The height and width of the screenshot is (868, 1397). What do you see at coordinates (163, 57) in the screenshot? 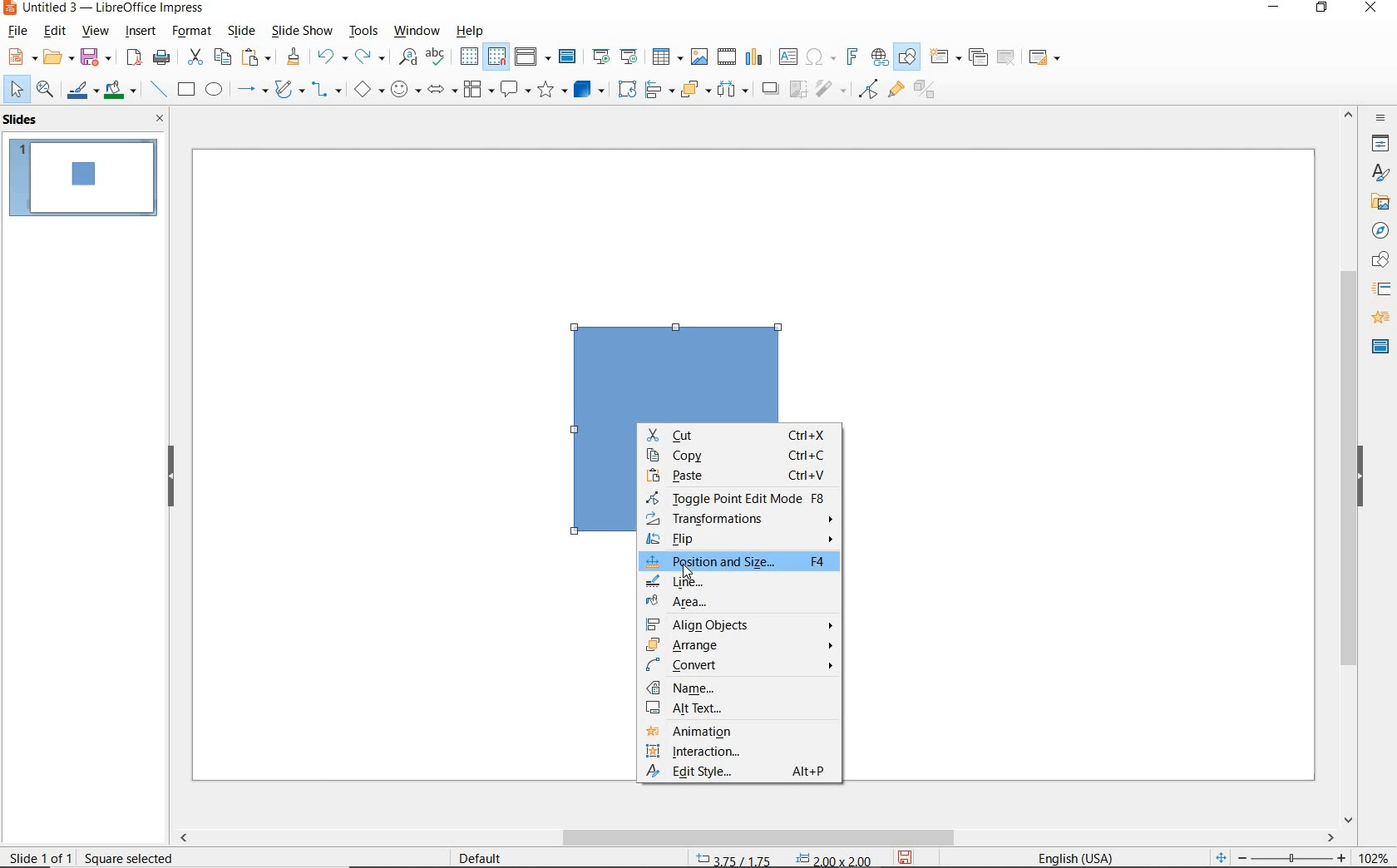
I see `print` at bounding box center [163, 57].